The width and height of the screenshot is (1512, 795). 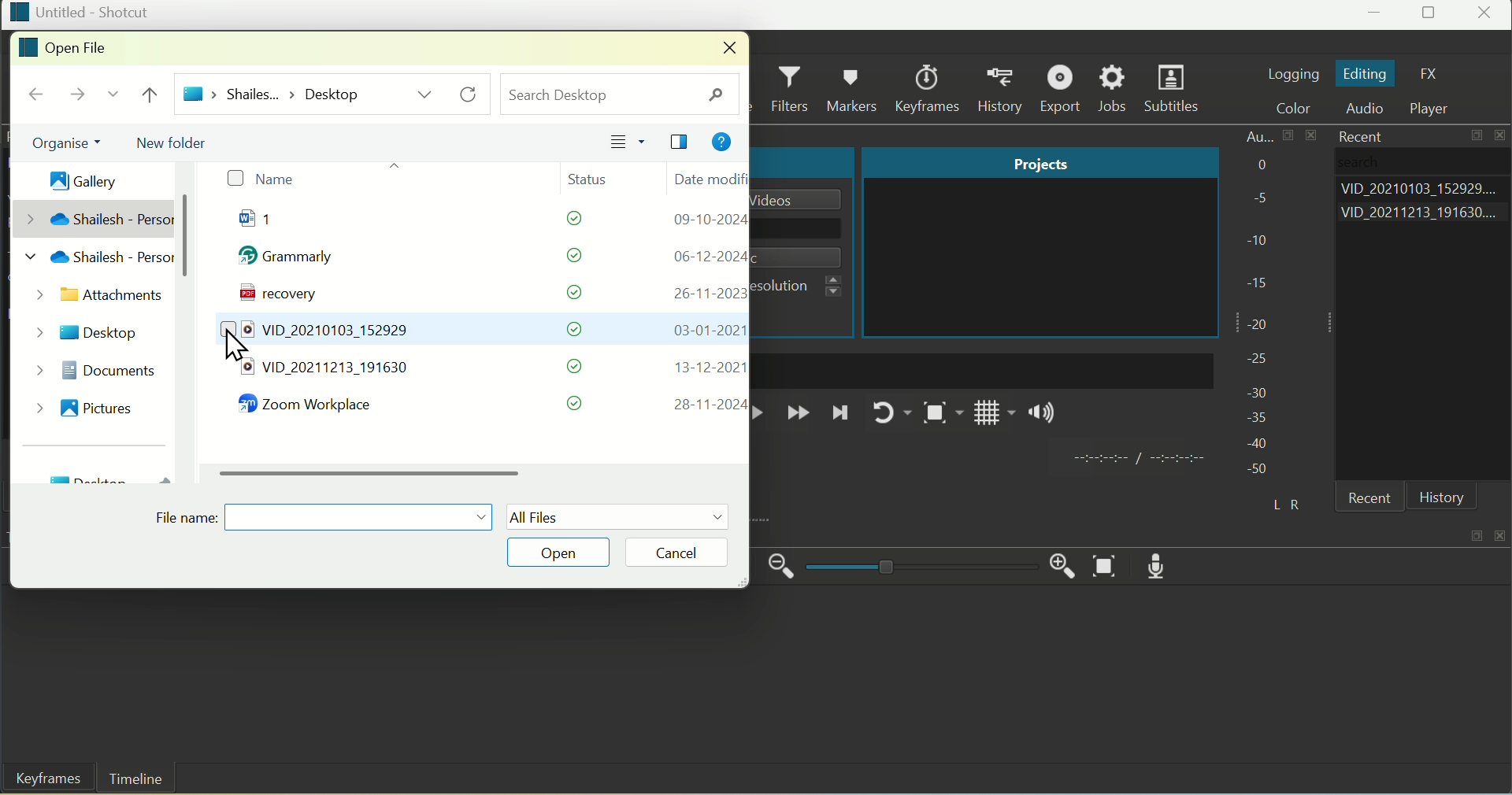 What do you see at coordinates (940, 416) in the screenshot?
I see `Snapshot` at bounding box center [940, 416].